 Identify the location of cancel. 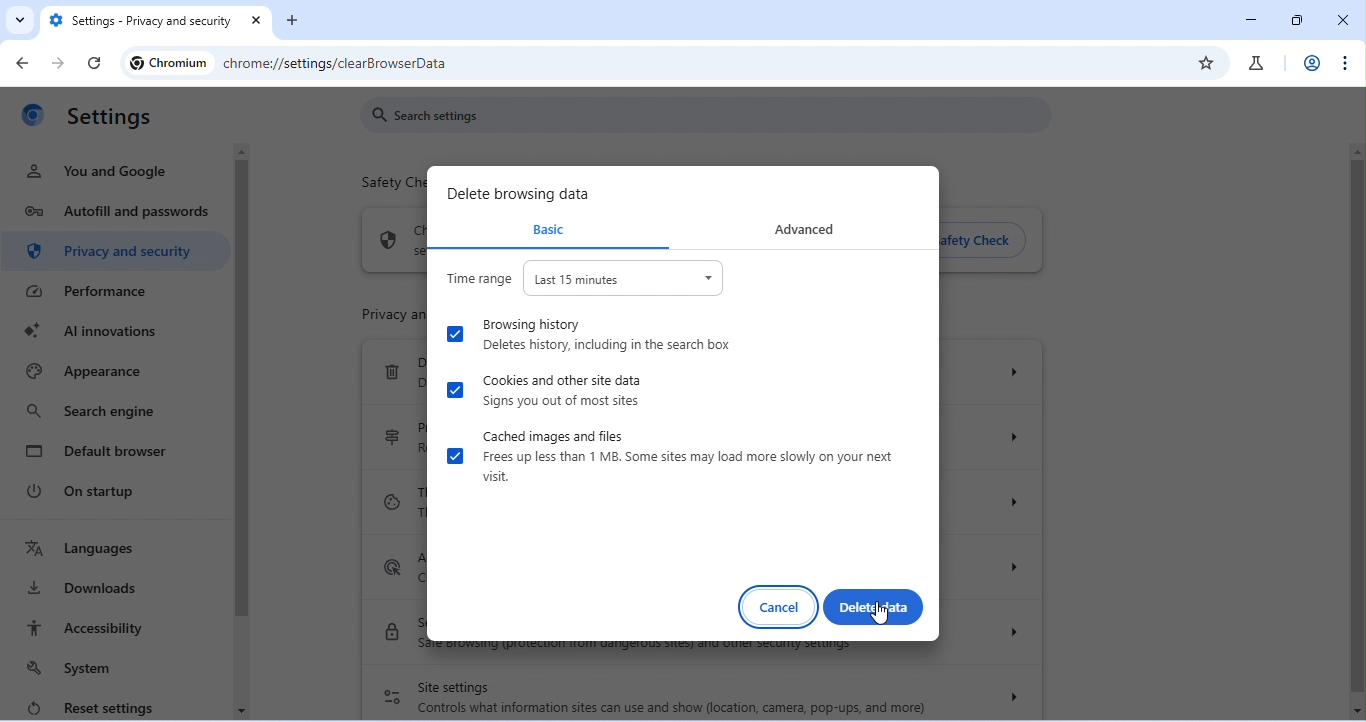
(779, 608).